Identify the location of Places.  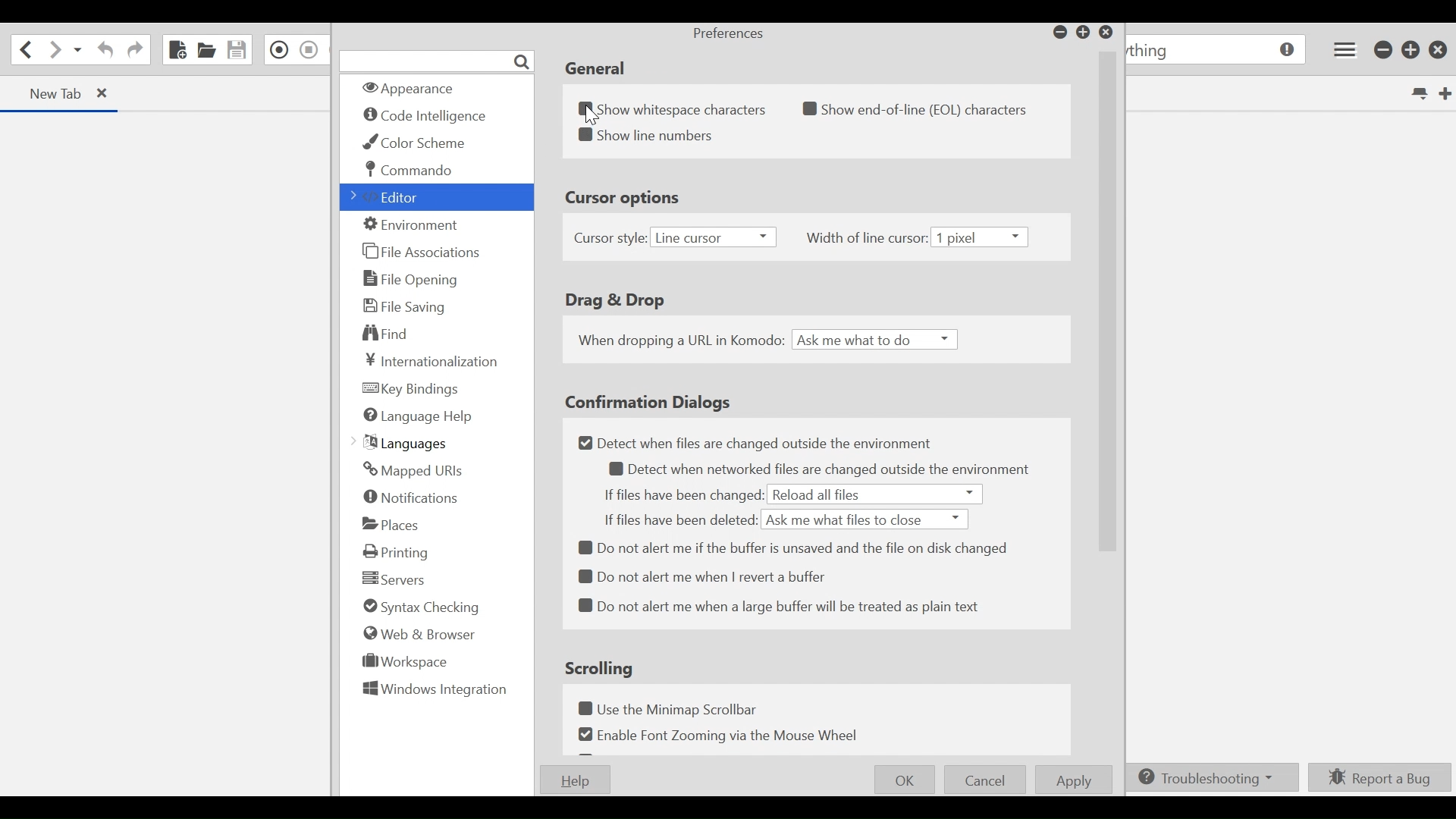
(398, 522).